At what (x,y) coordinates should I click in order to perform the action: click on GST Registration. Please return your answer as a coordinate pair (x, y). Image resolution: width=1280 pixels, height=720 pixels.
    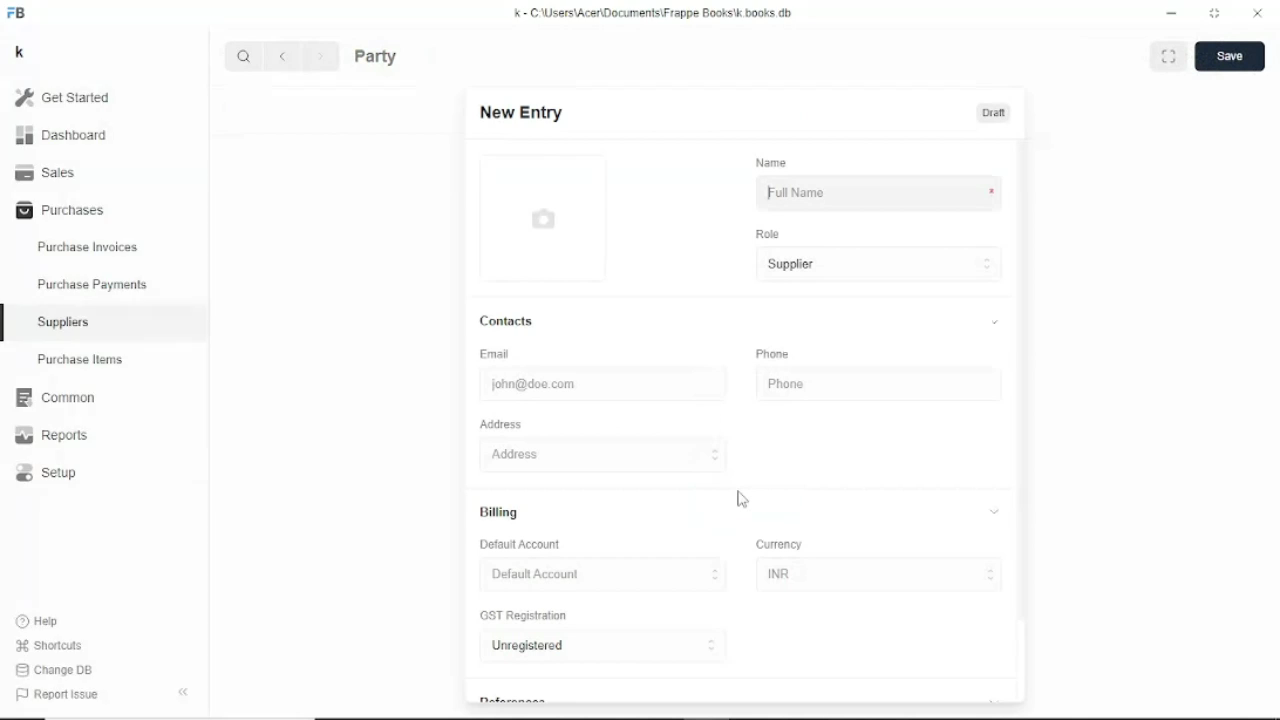
    Looking at the image, I should click on (526, 617).